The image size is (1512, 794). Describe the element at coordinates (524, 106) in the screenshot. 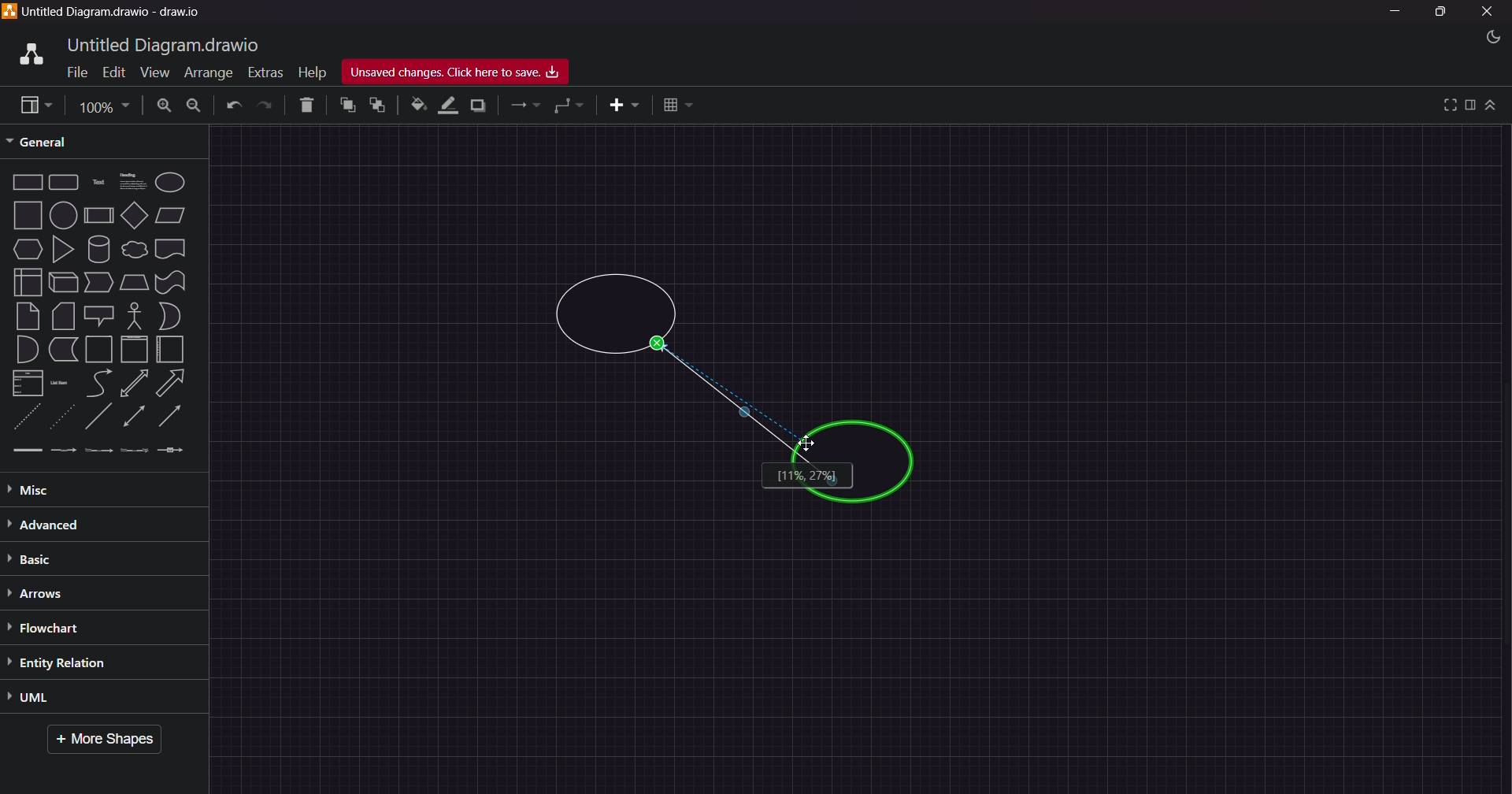

I see `connections` at that location.